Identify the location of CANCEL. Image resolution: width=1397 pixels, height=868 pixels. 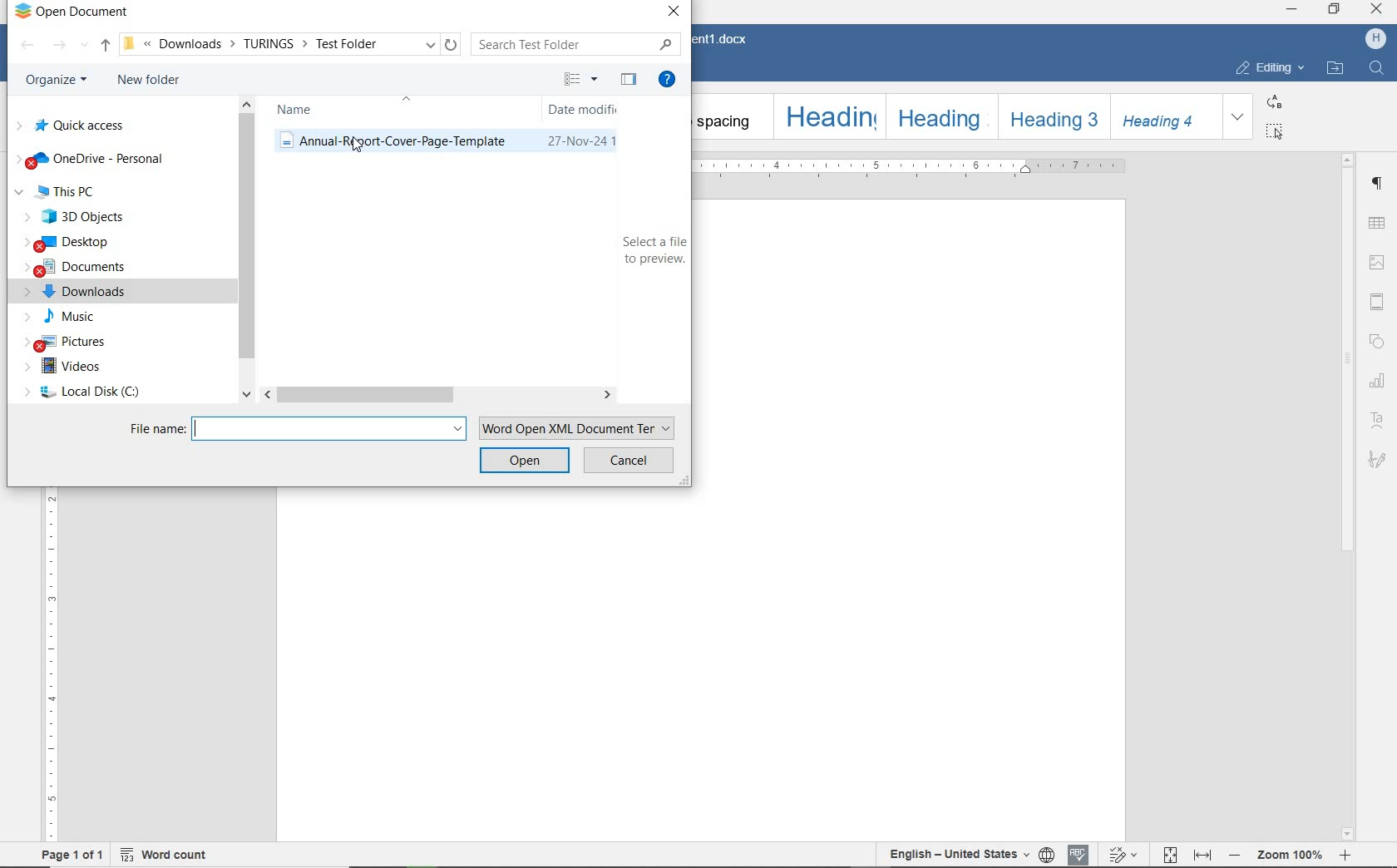
(629, 460).